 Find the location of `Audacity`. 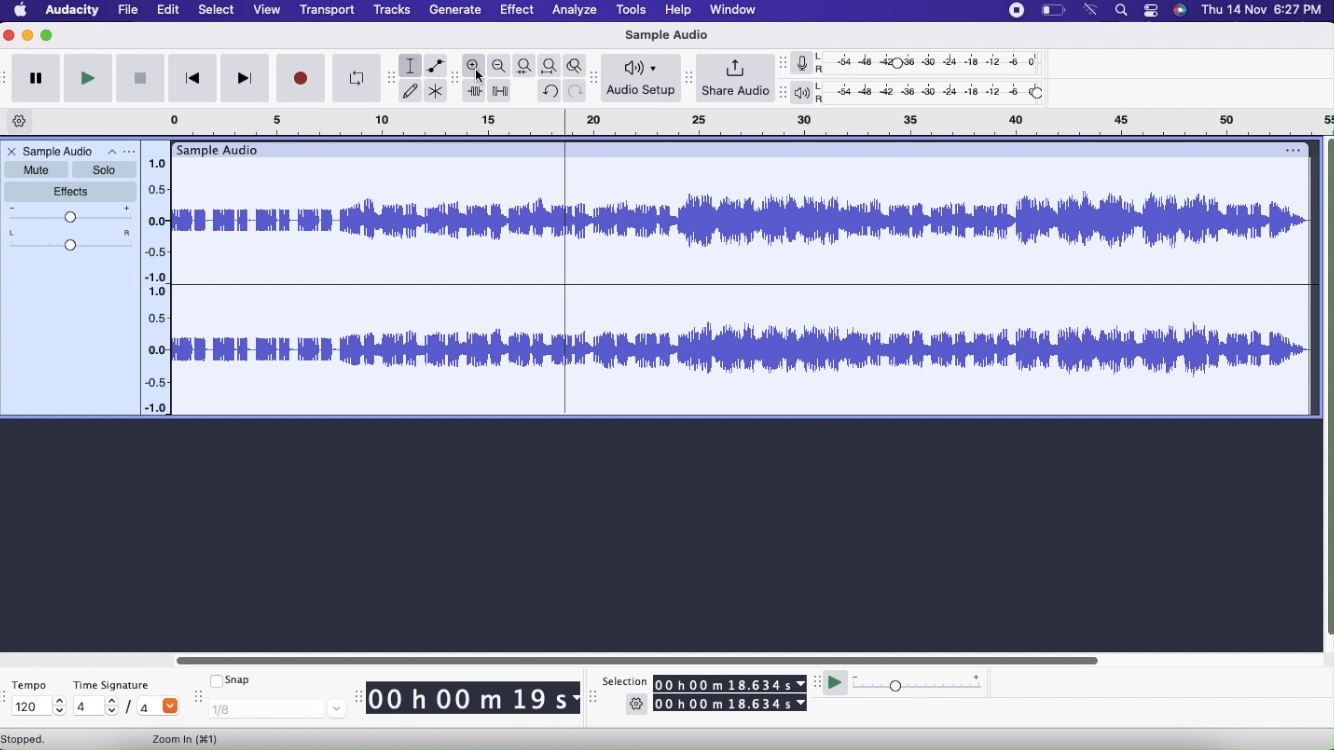

Audacity is located at coordinates (71, 12).